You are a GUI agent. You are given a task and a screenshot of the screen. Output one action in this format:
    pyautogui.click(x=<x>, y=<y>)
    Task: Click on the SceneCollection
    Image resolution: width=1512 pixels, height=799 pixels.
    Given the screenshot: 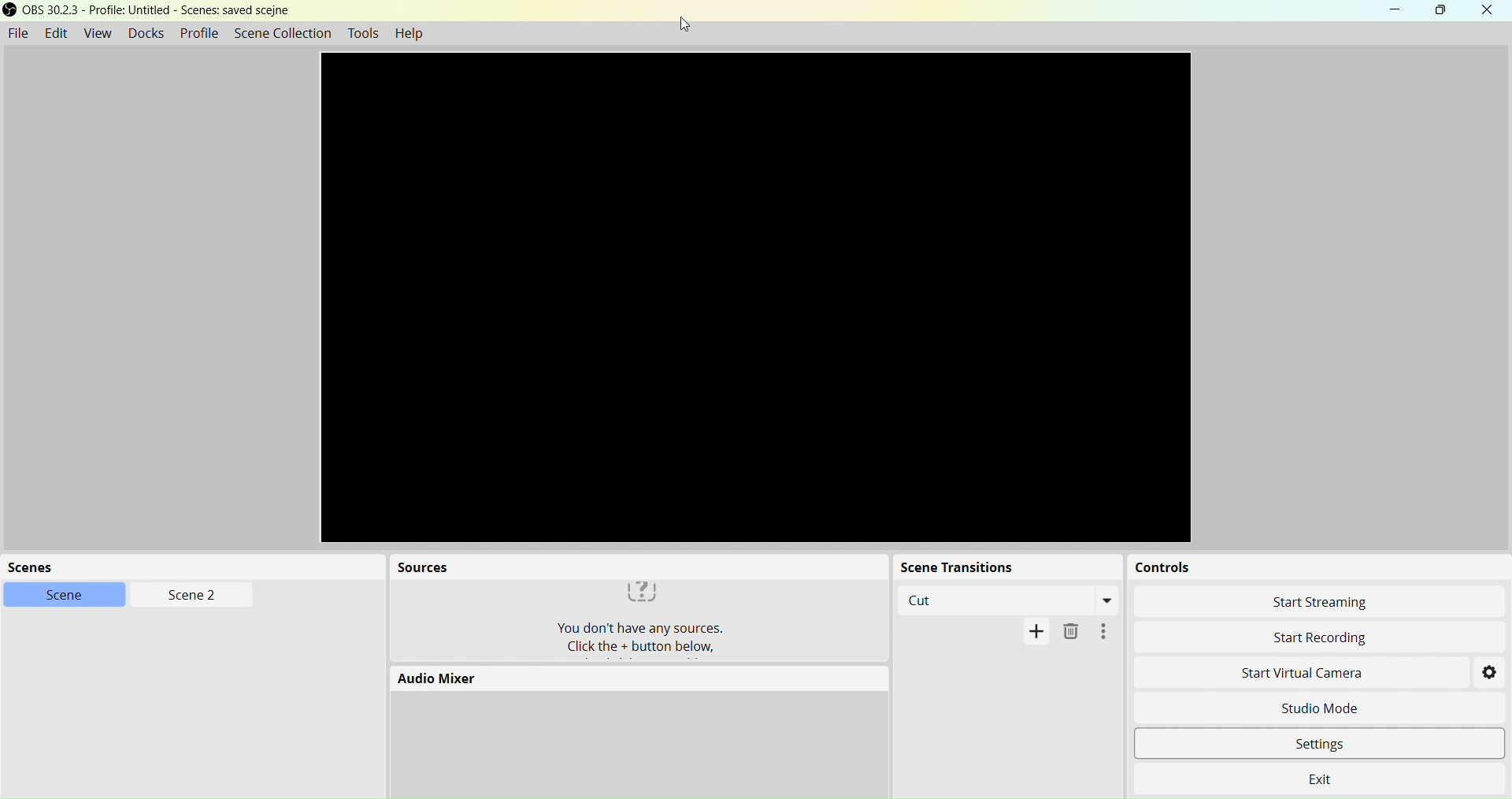 What is the action you would take?
    pyautogui.click(x=286, y=33)
    